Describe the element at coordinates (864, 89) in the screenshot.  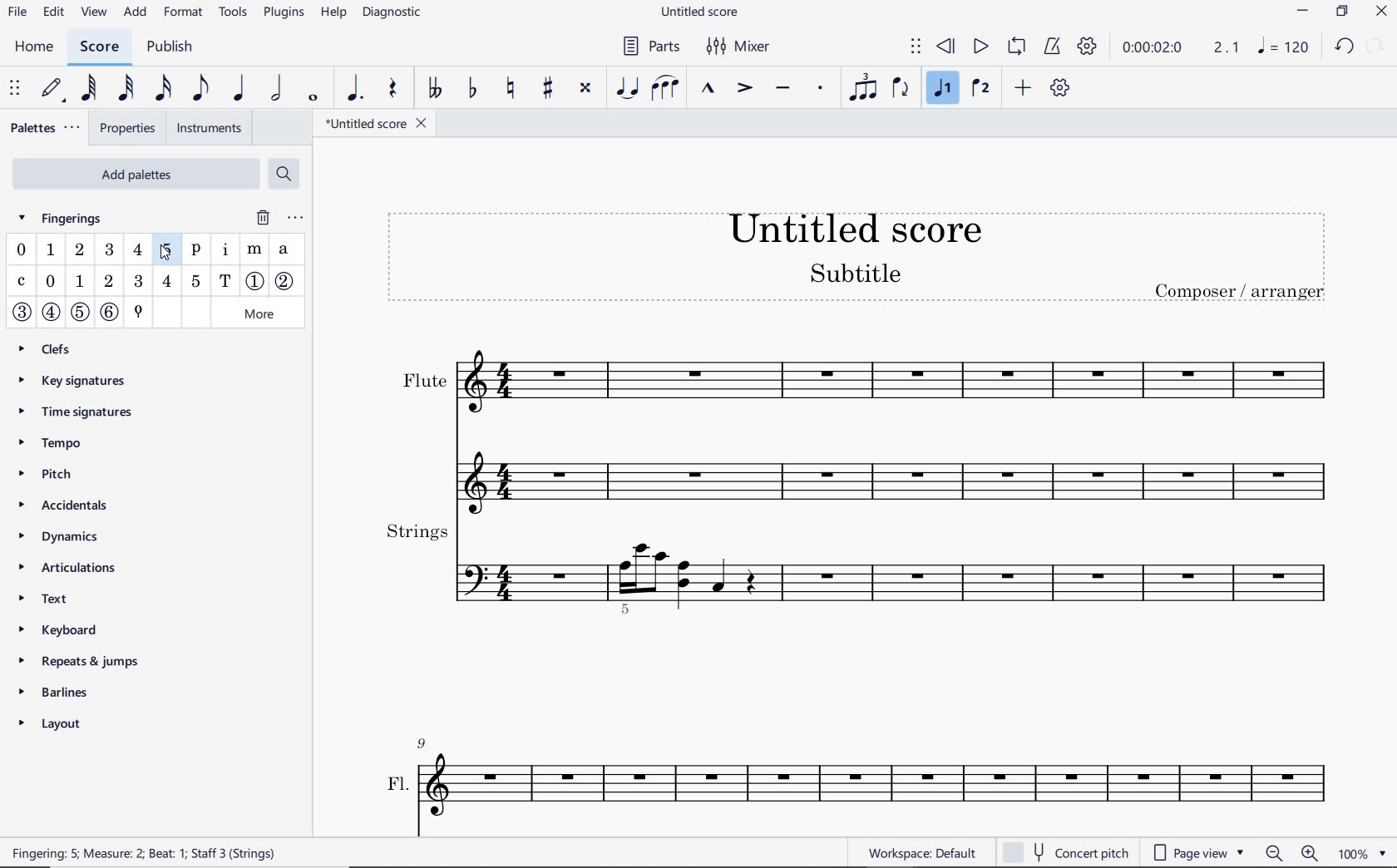
I see `tuplet` at that location.